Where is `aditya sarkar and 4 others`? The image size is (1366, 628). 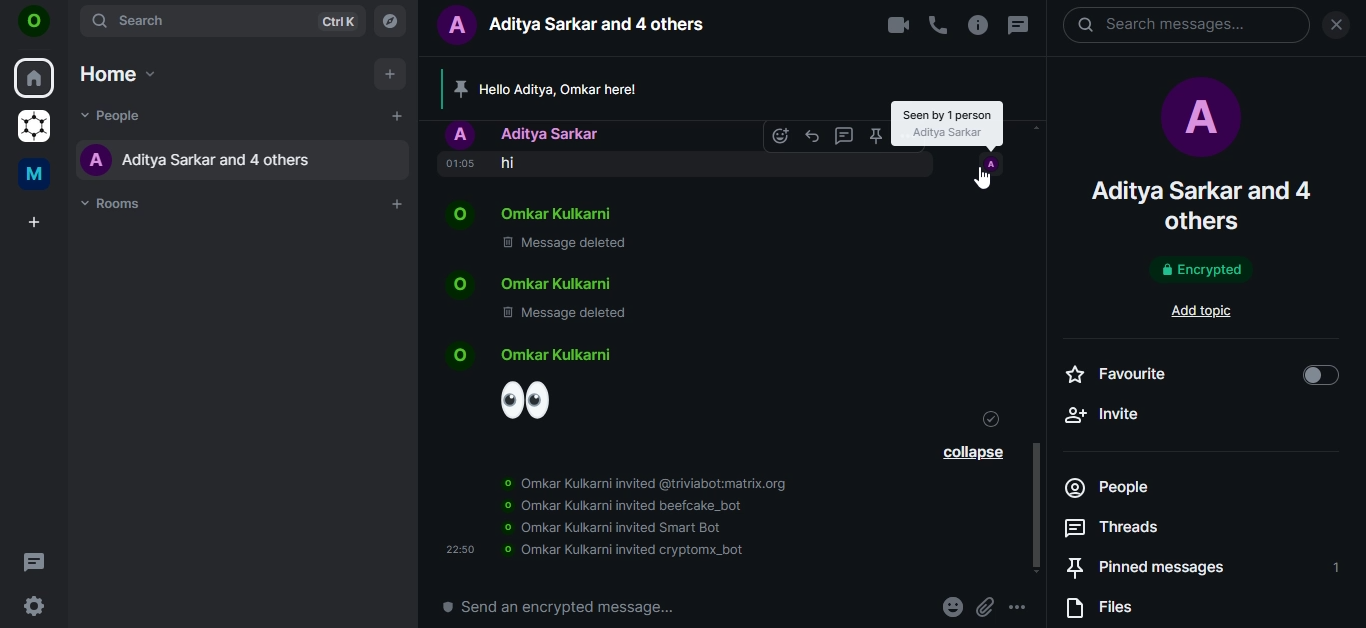
aditya sarkar and 4 others is located at coordinates (581, 26).